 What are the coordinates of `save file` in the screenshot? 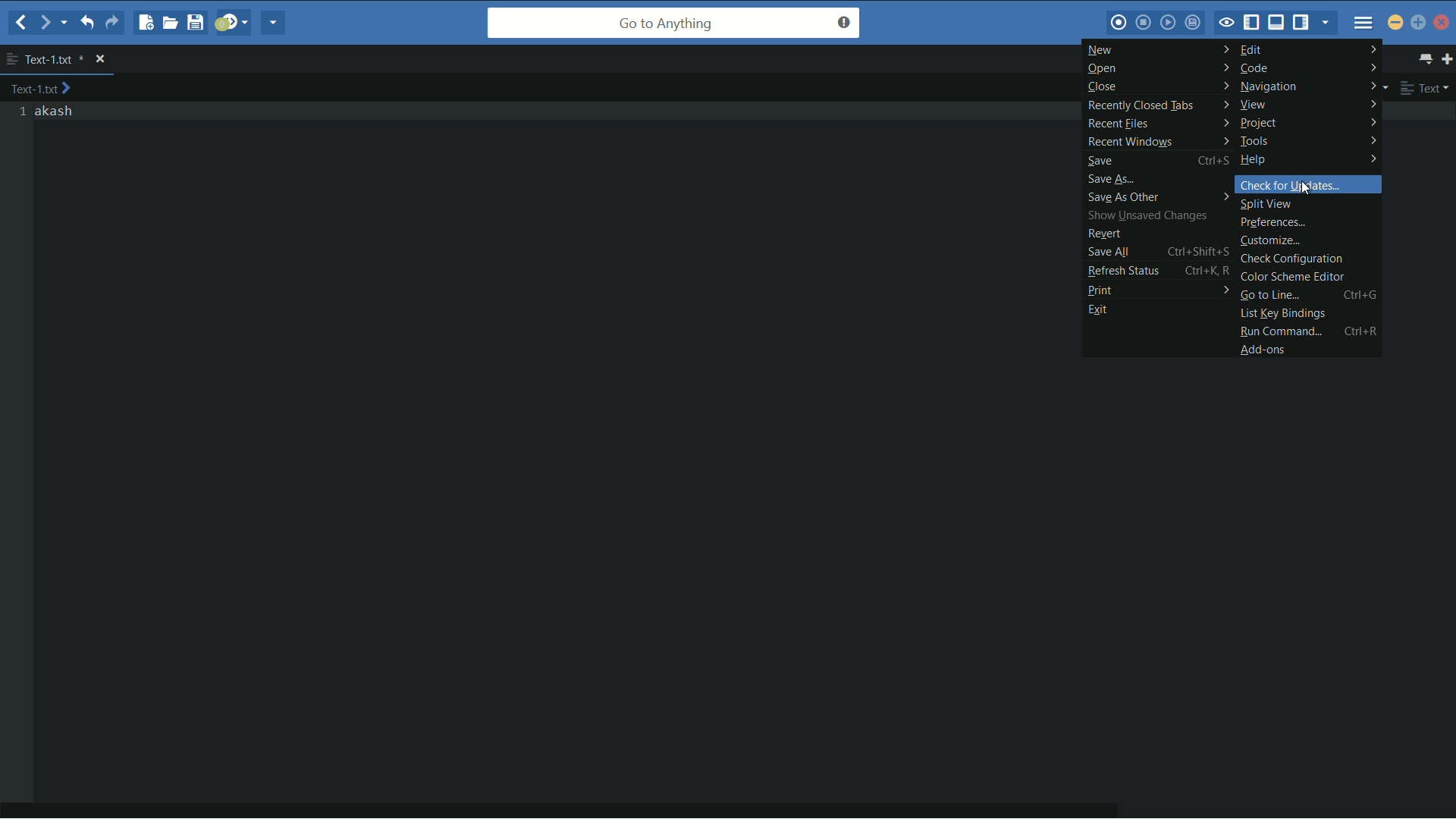 It's located at (197, 22).